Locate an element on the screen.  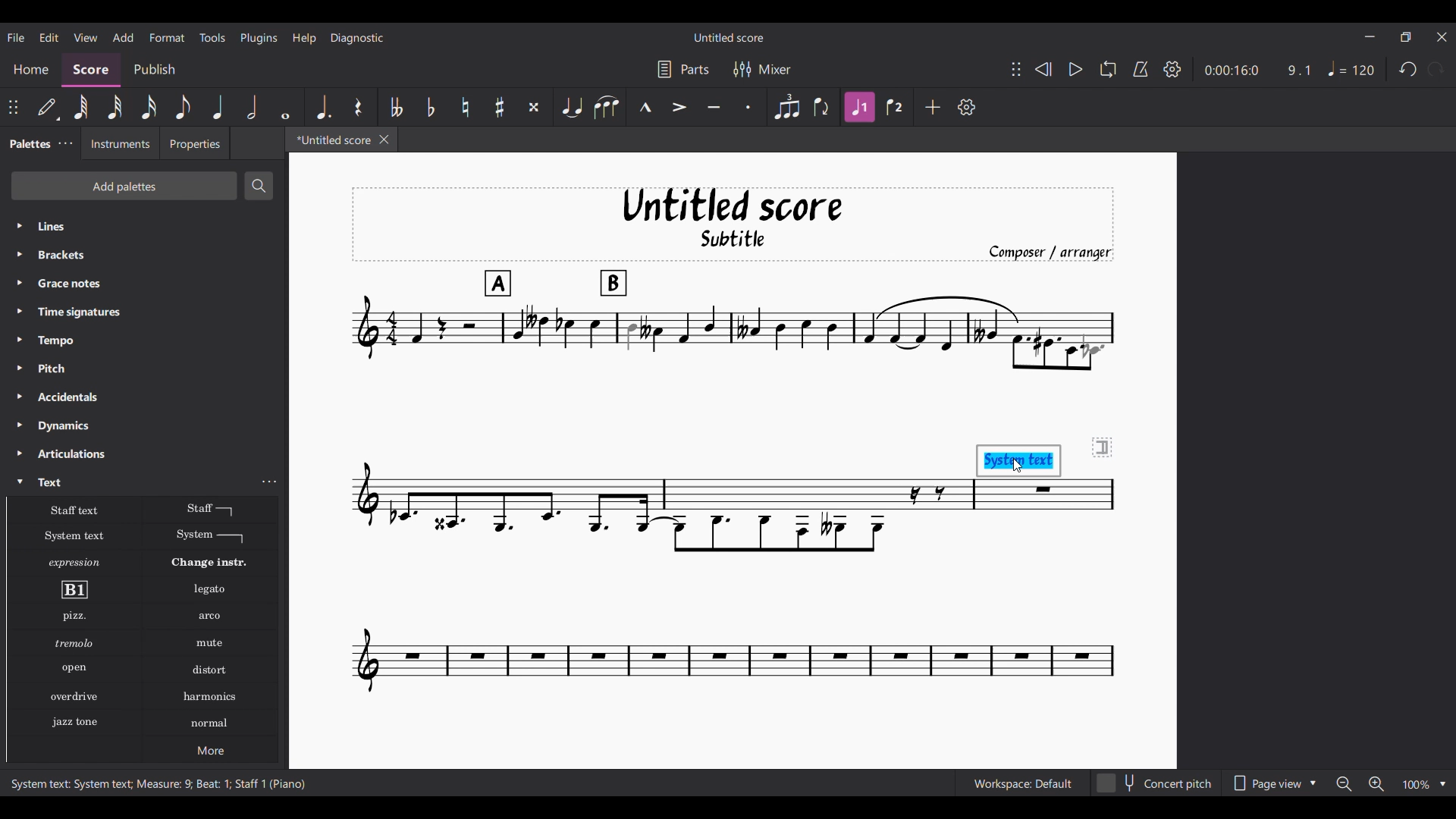
Tremolo is located at coordinates (74, 642).